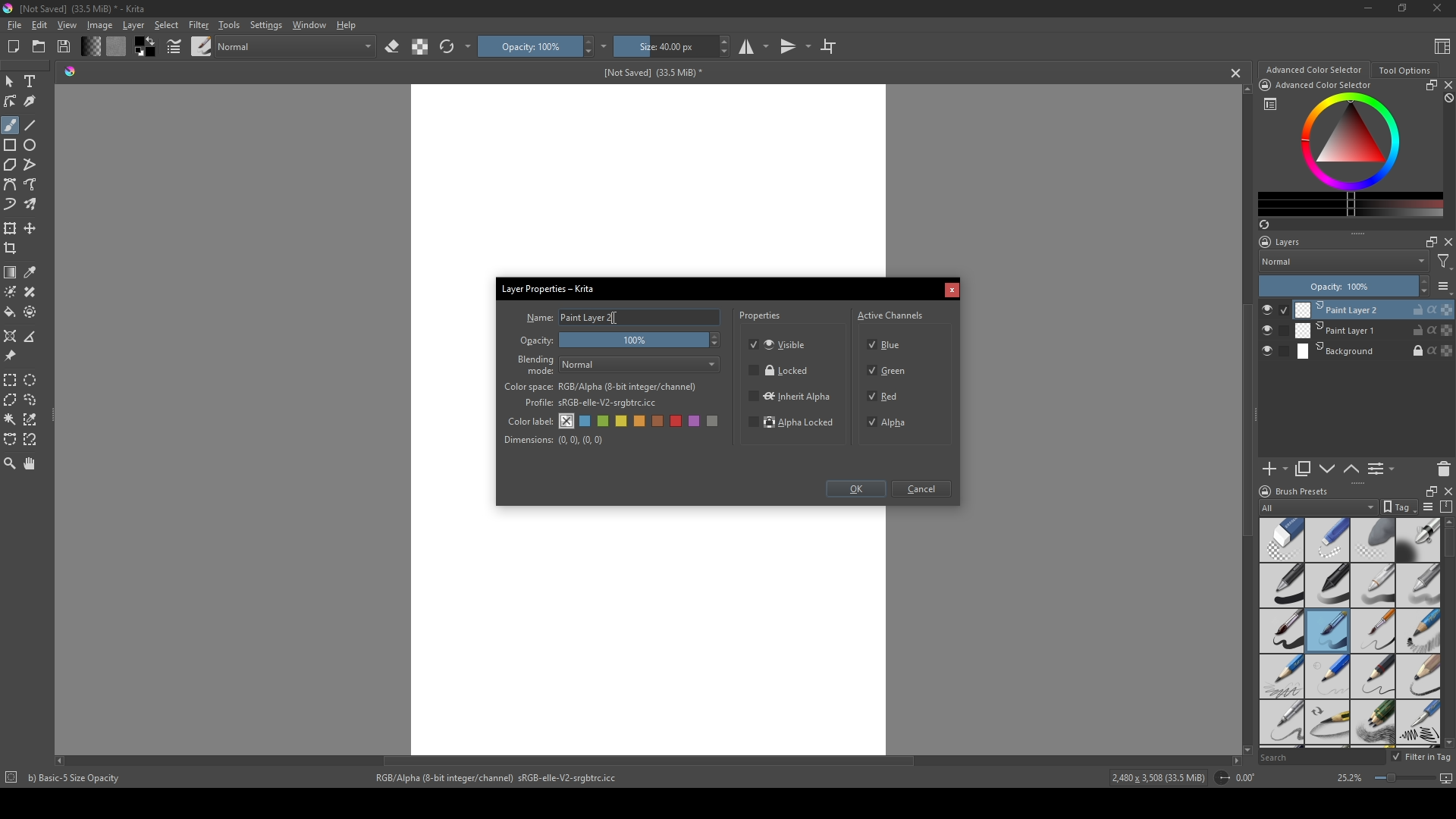 This screenshot has width=1456, height=819. Describe the element at coordinates (133, 25) in the screenshot. I see `Layer` at that location.